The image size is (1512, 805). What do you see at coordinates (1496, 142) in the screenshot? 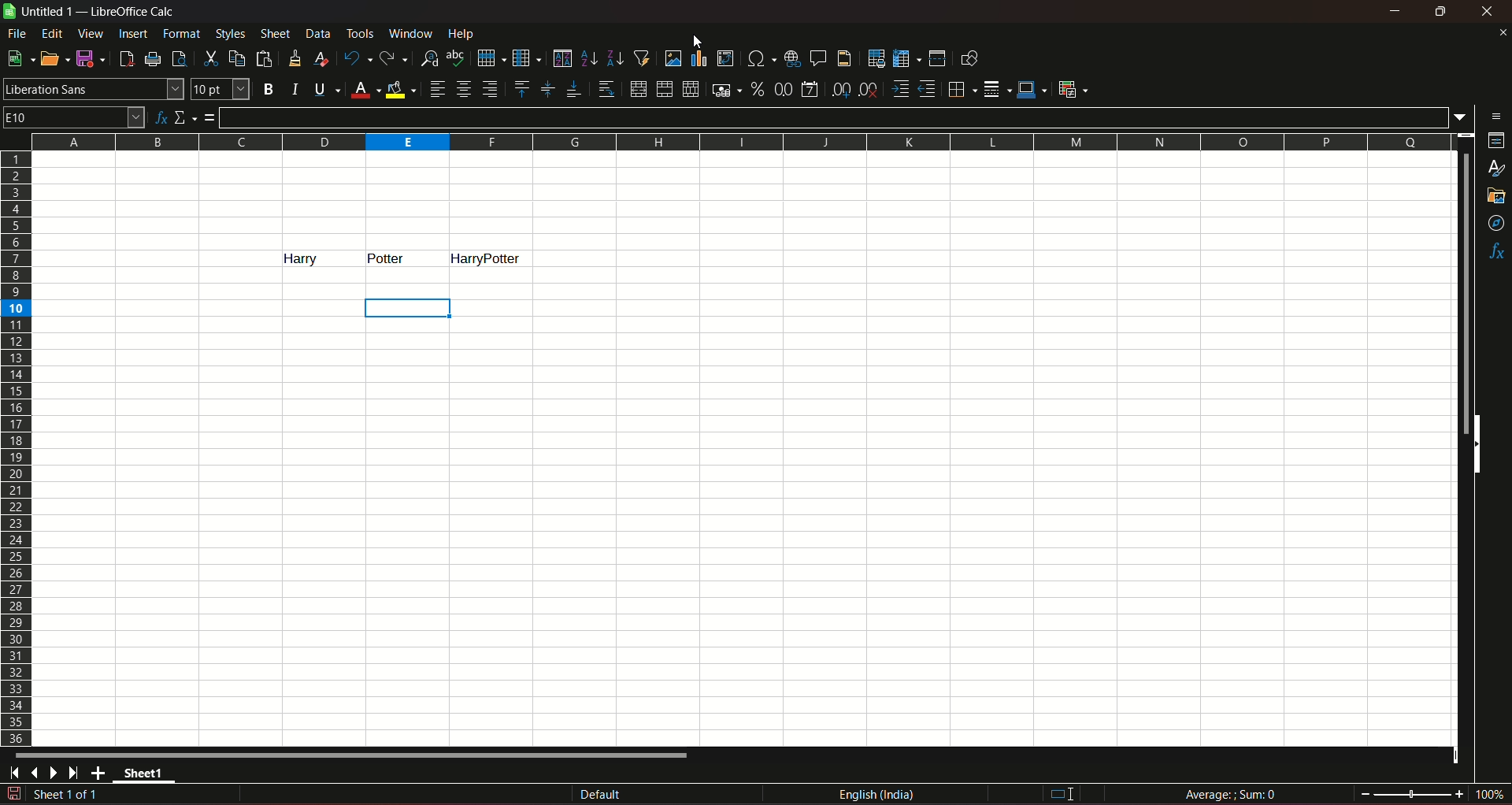
I see `properties` at bounding box center [1496, 142].